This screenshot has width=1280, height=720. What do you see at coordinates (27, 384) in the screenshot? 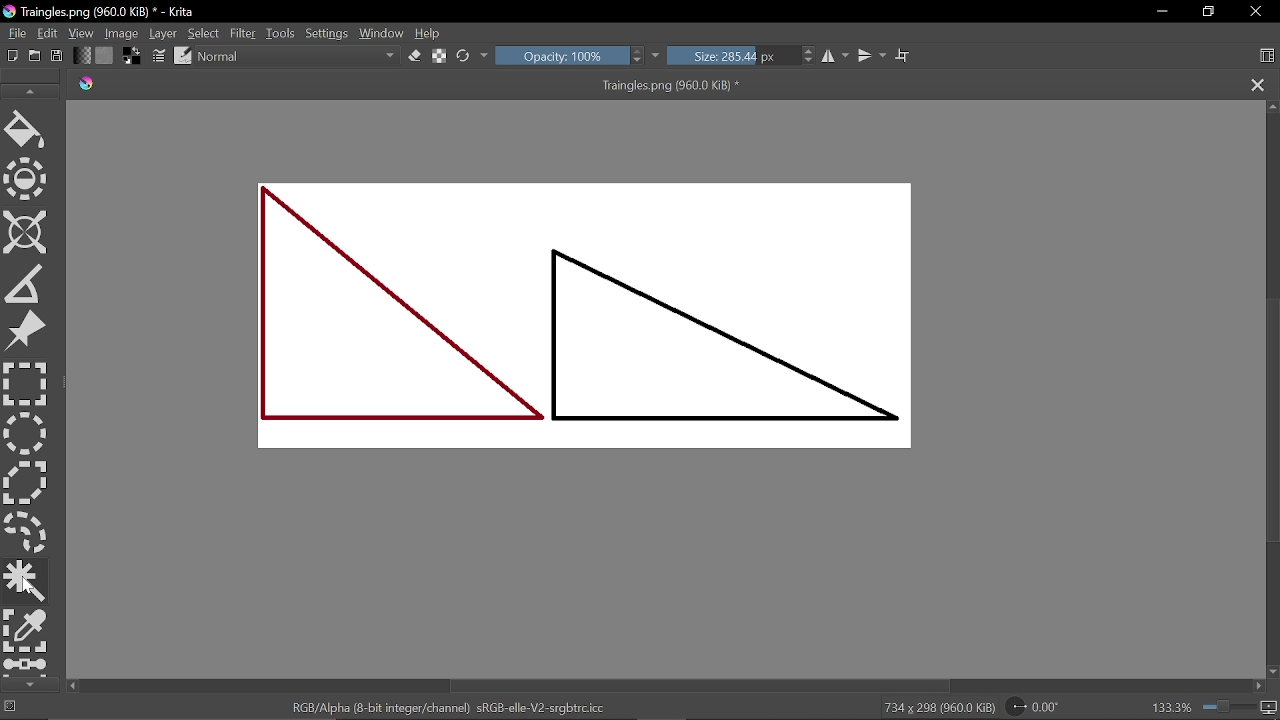
I see `Rectangular select tool` at bounding box center [27, 384].